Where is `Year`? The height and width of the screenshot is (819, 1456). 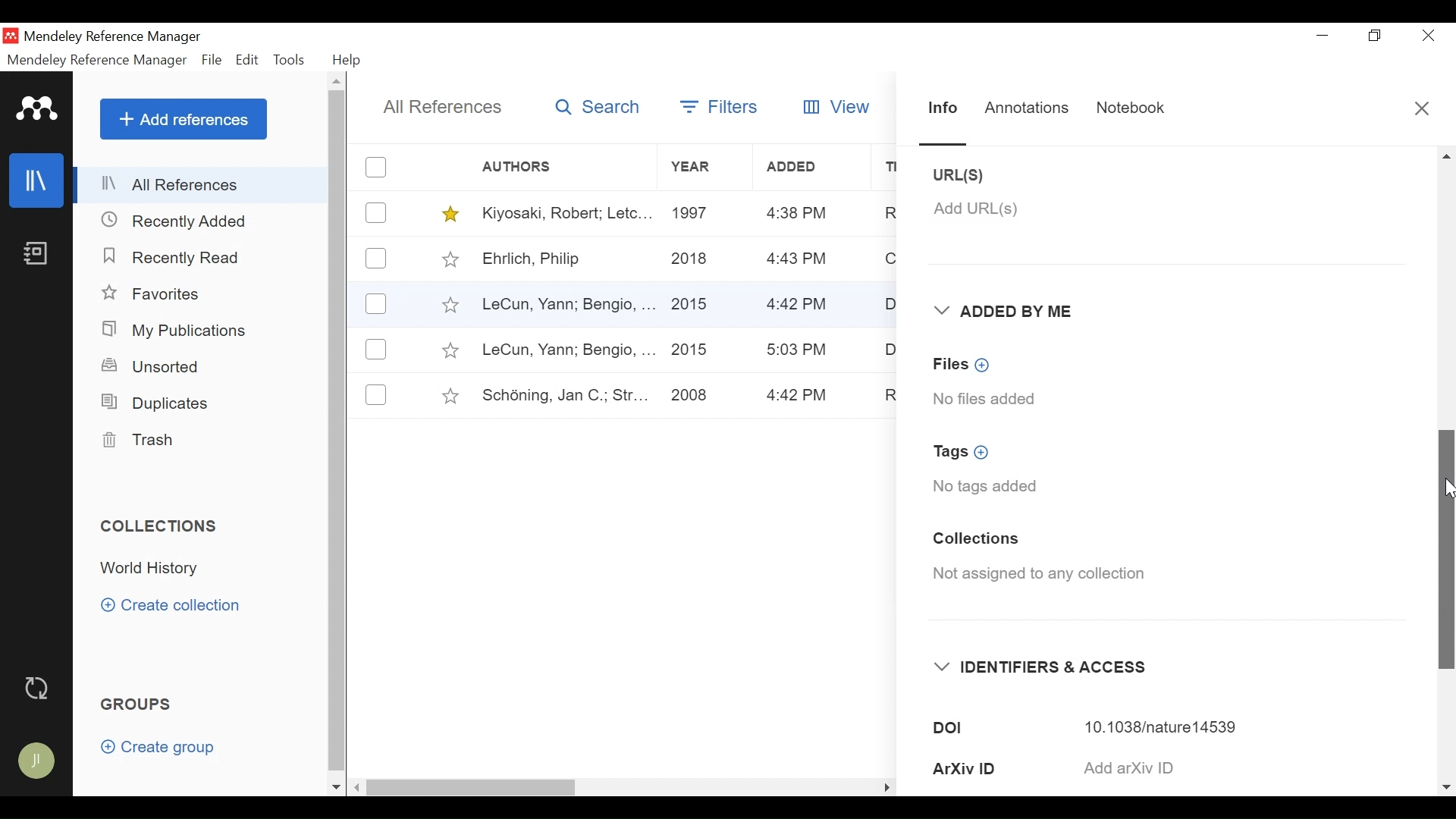
Year is located at coordinates (704, 168).